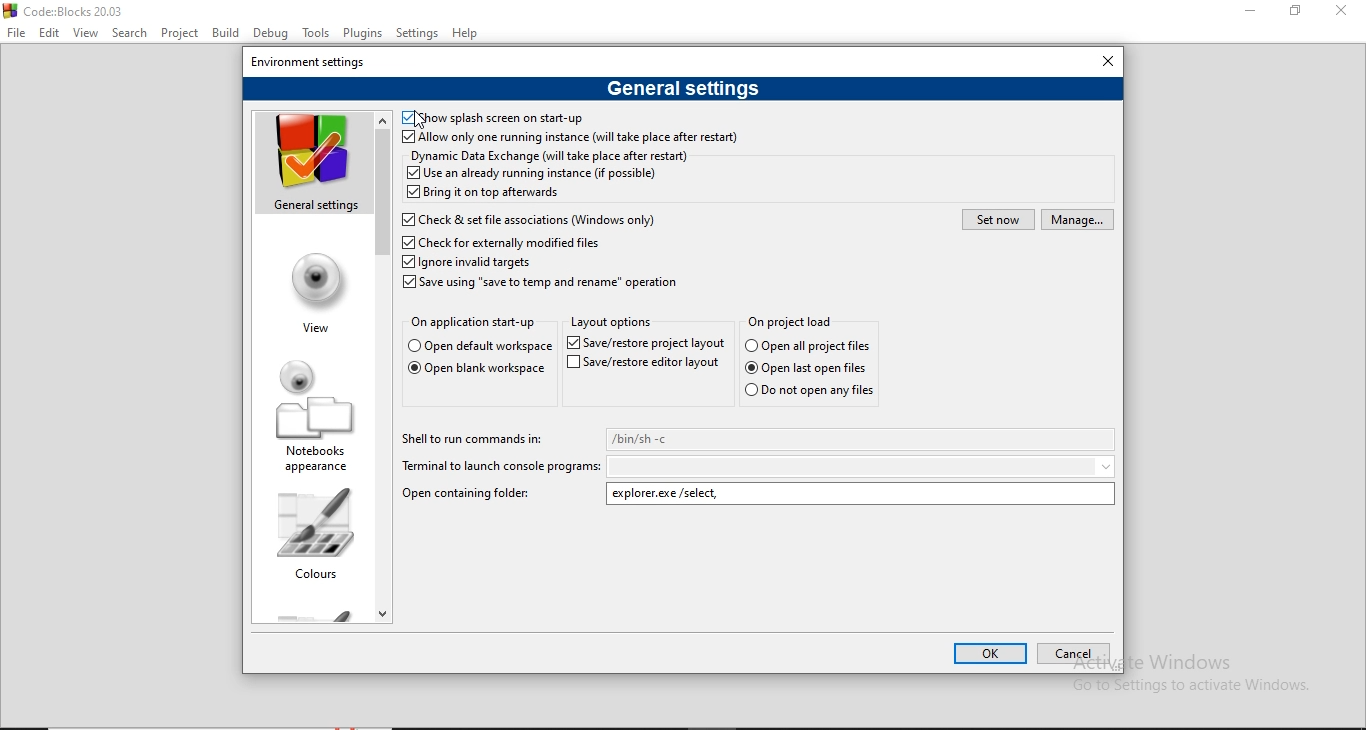 Image resolution: width=1366 pixels, height=730 pixels. What do you see at coordinates (180, 30) in the screenshot?
I see `Project ` at bounding box center [180, 30].